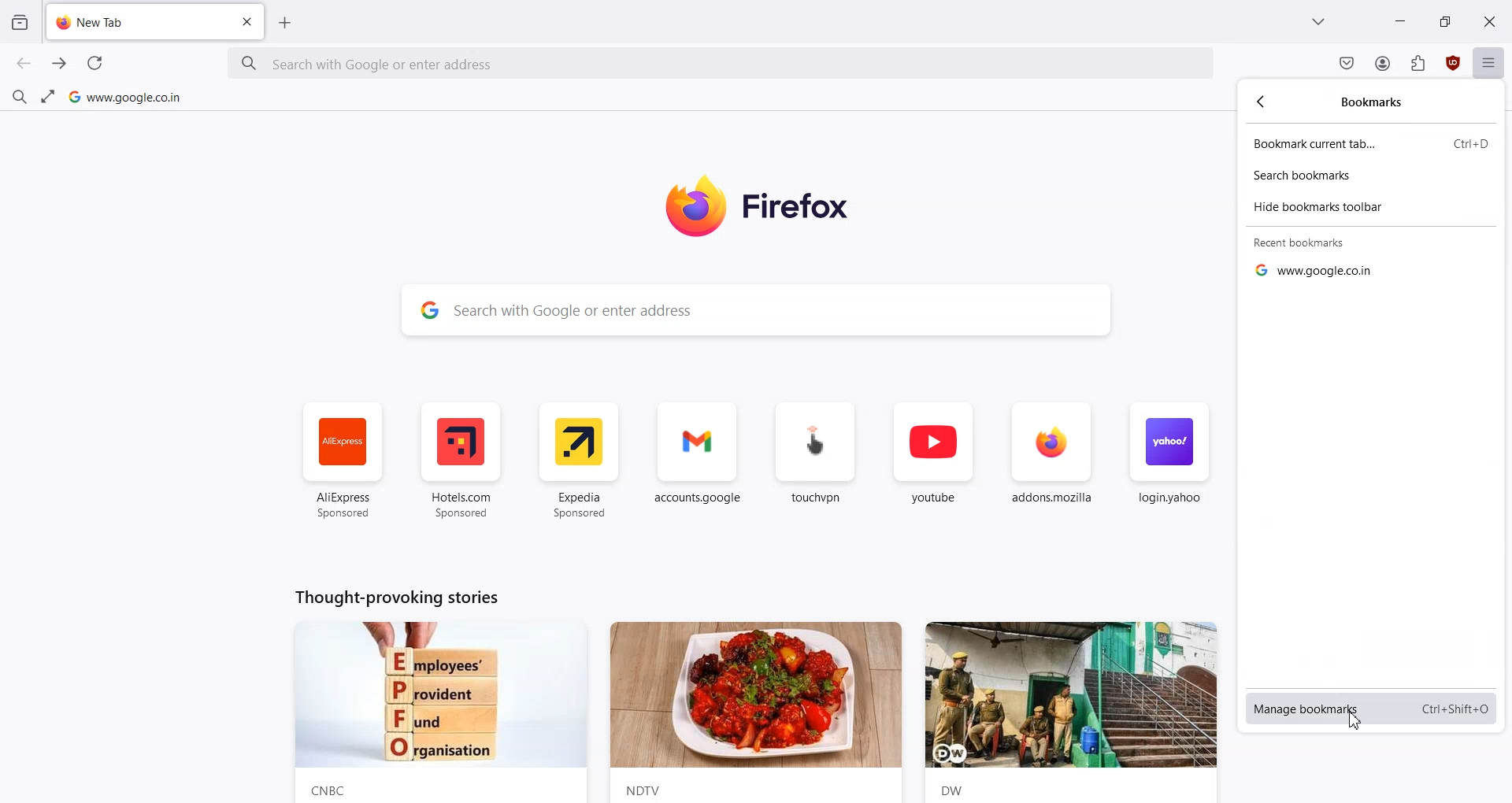 This screenshot has width=1512, height=803. Describe the element at coordinates (1455, 709) in the screenshot. I see `Shortcut key` at that location.